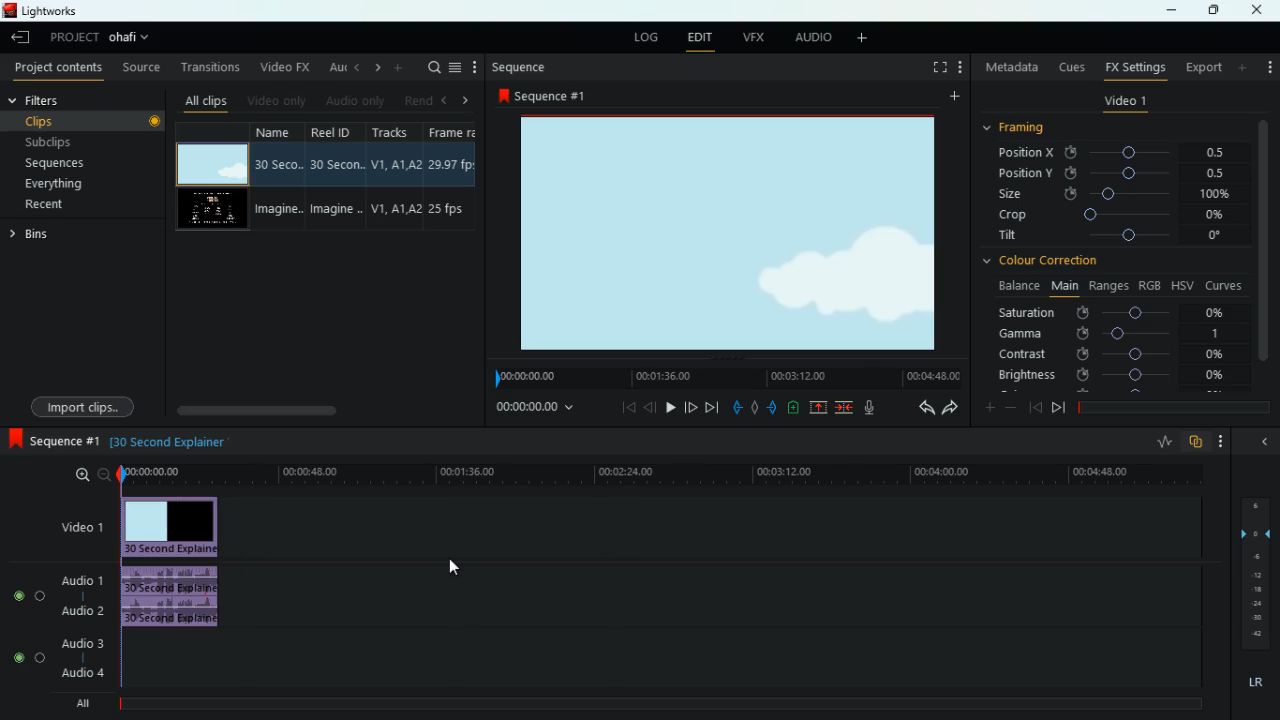  Describe the element at coordinates (1182, 285) in the screenshot. I see `hsv` at that location.